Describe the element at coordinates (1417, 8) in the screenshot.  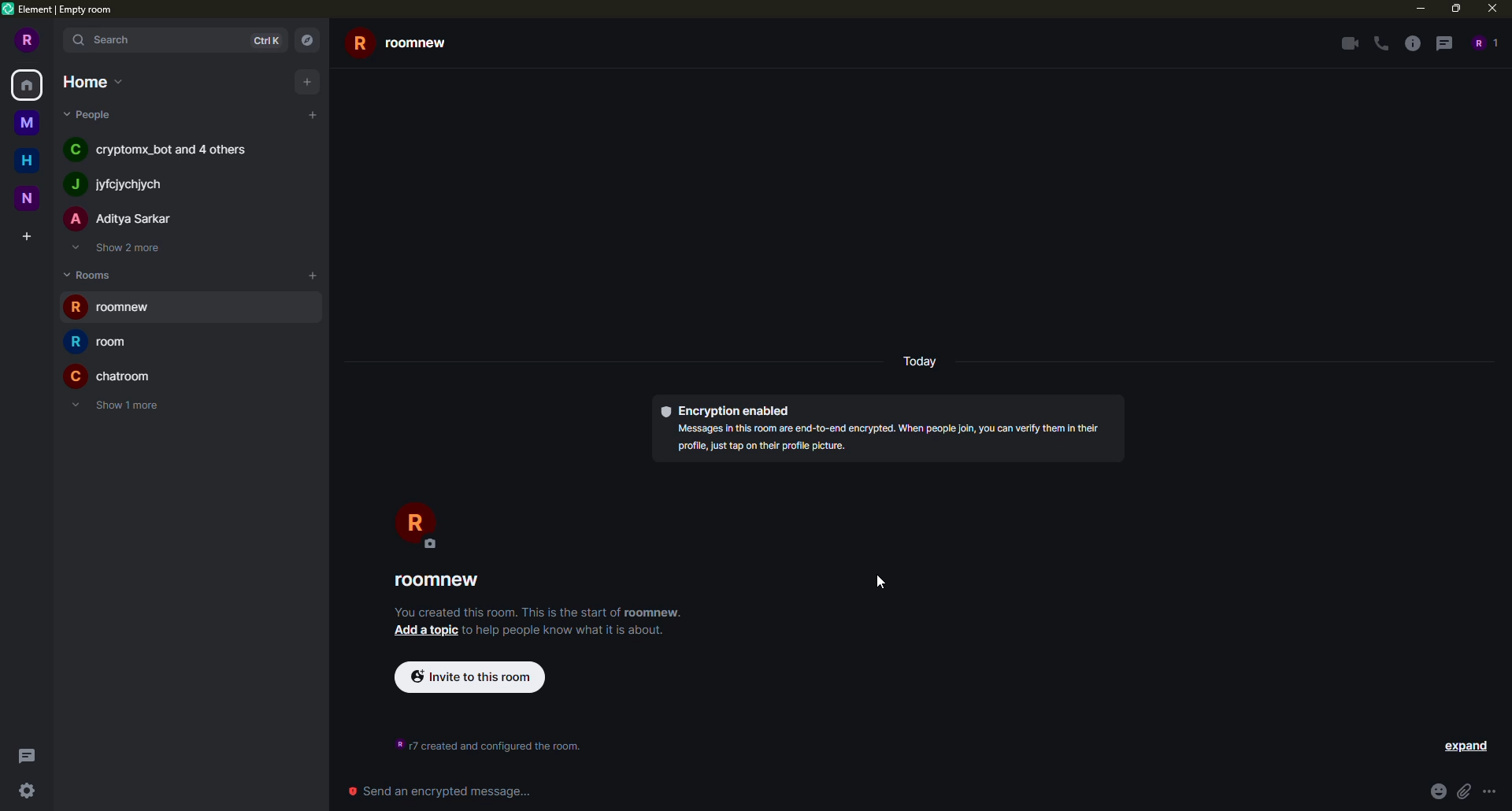
I see `minimize` at that location.